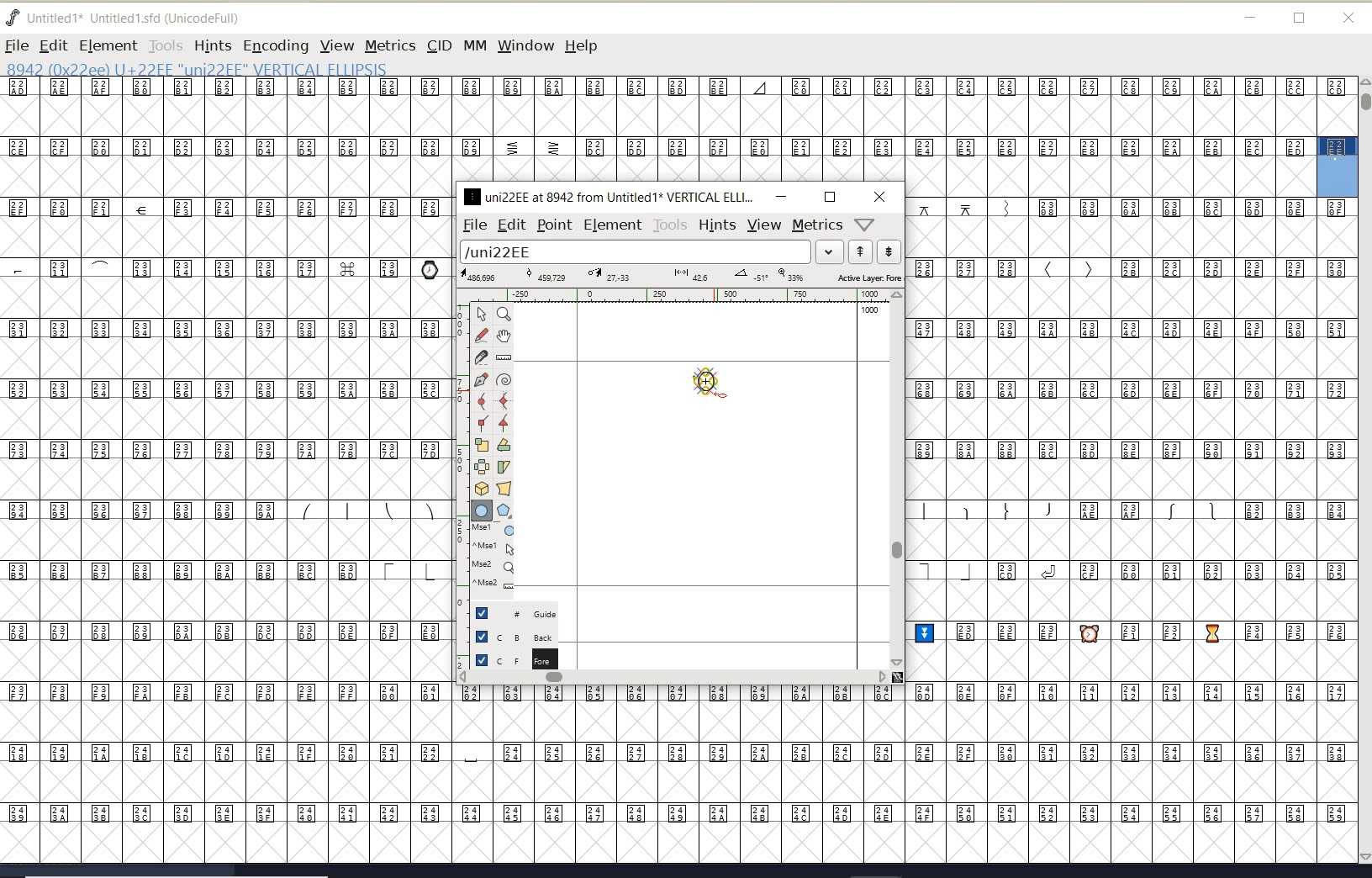  I want to click on scale the selection, so click(482, 445).